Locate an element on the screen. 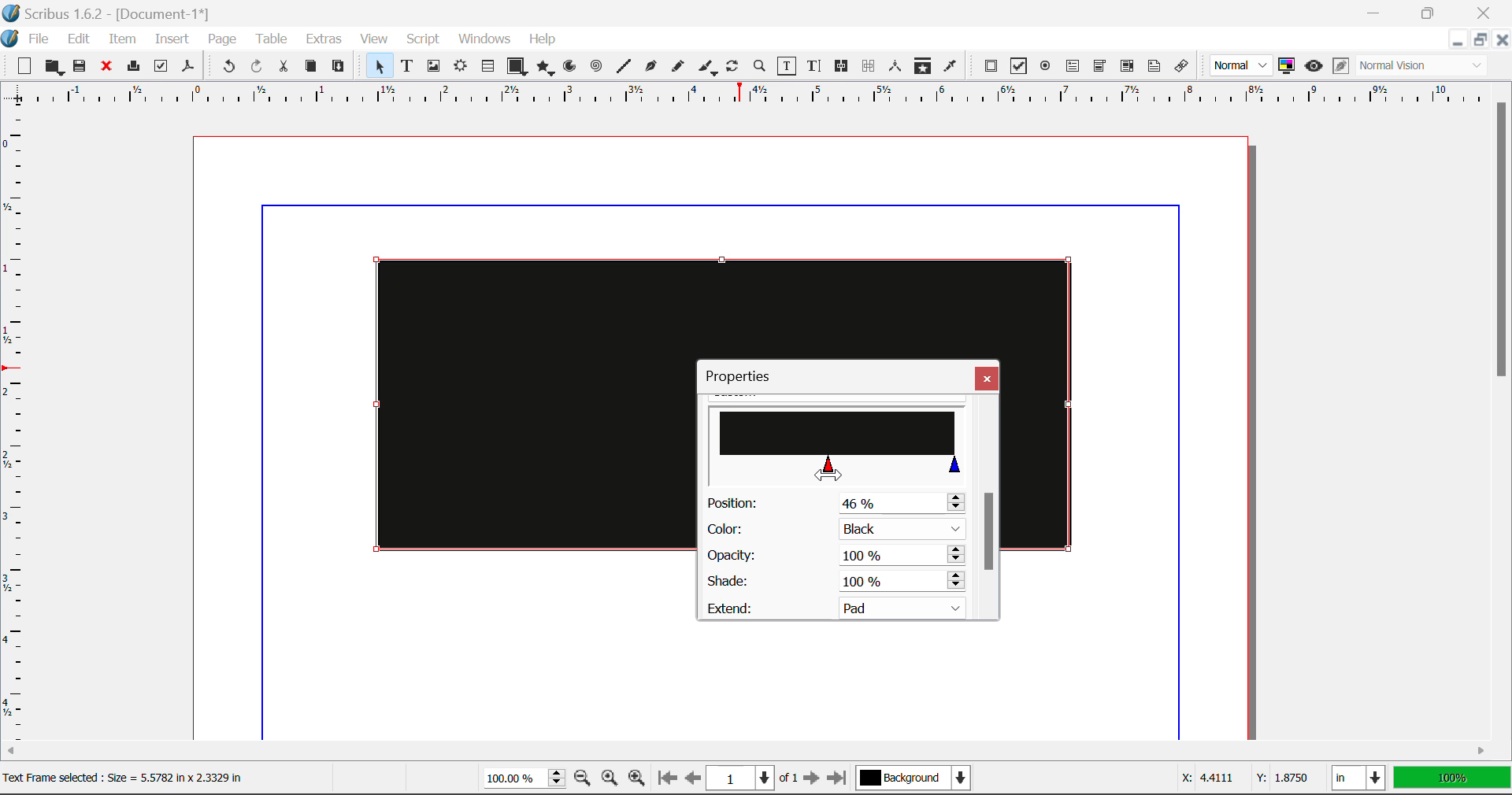 The width and height of the screenshot is (1512, 795). Edit Contents of Frame is located at coordinates (787, 68).